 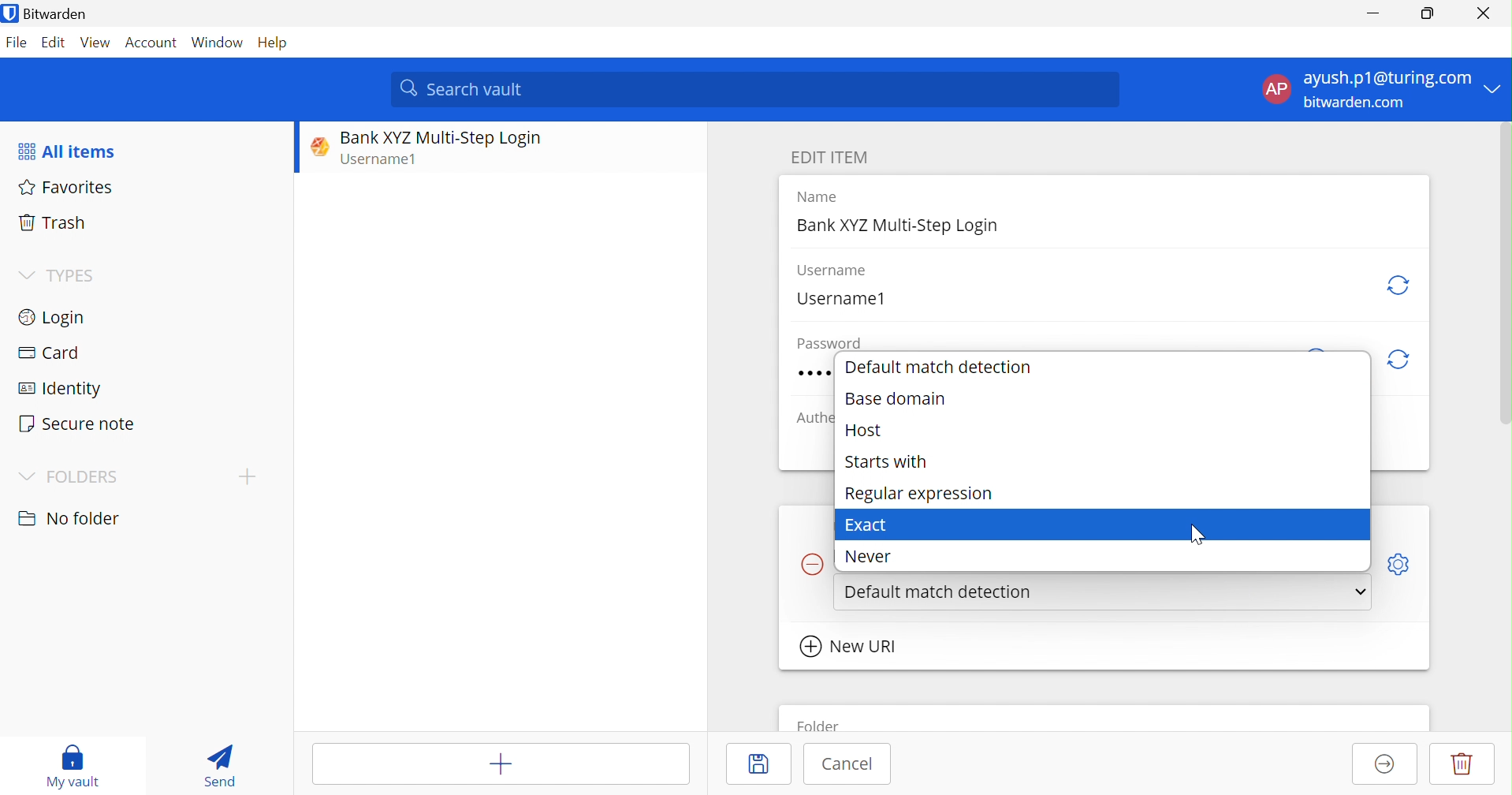 What do you see at coordinates (1387, 80) in the screenshot?
I see `ayush.p1@turing.com` at bounding box center [1387, 80].